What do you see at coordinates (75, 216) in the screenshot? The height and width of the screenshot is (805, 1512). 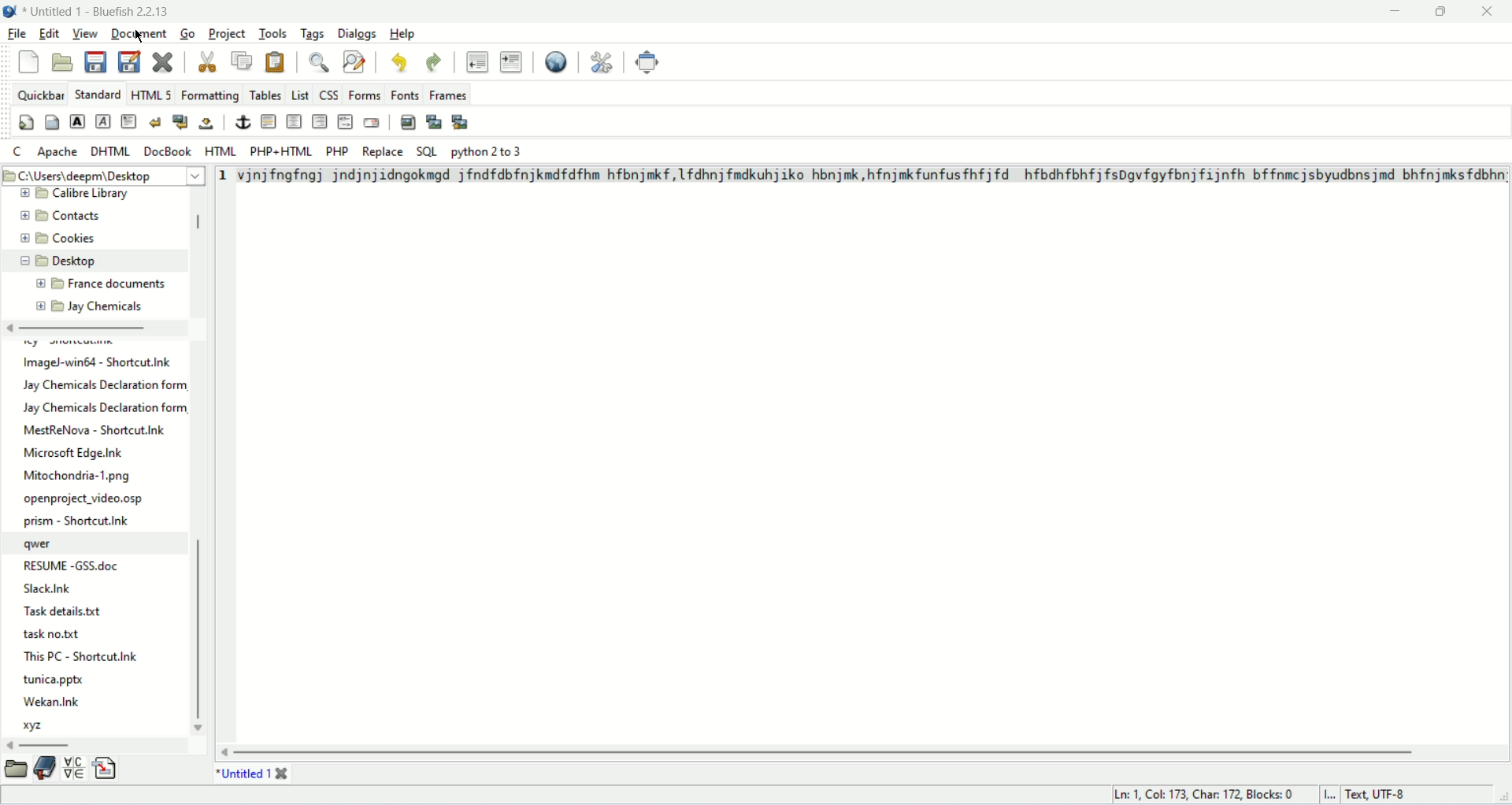 I see `Contacts` at bounding box center [75, 216].